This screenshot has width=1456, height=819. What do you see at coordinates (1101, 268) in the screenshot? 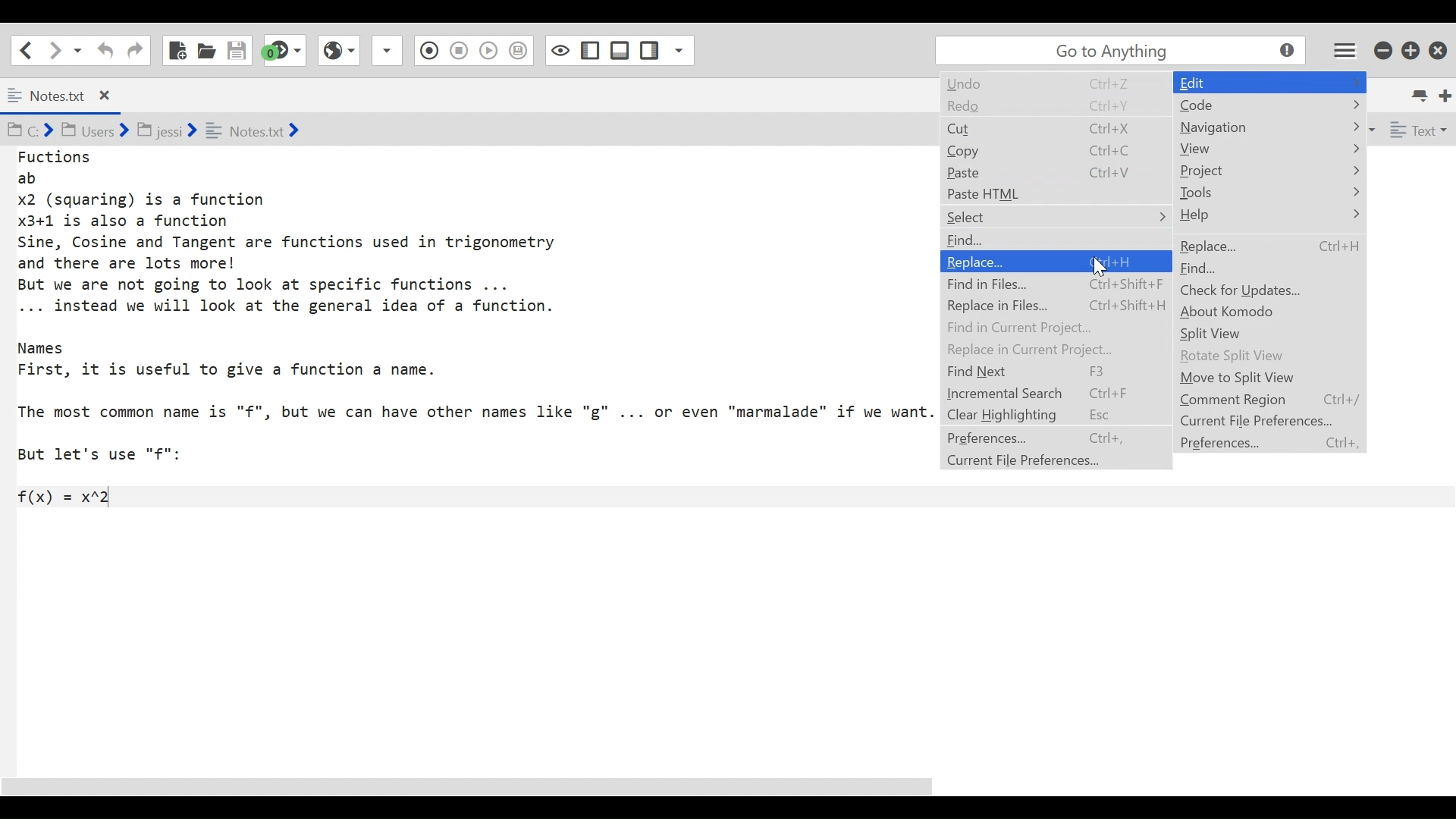
I see `cursor` at bounding box center [1101, 268].